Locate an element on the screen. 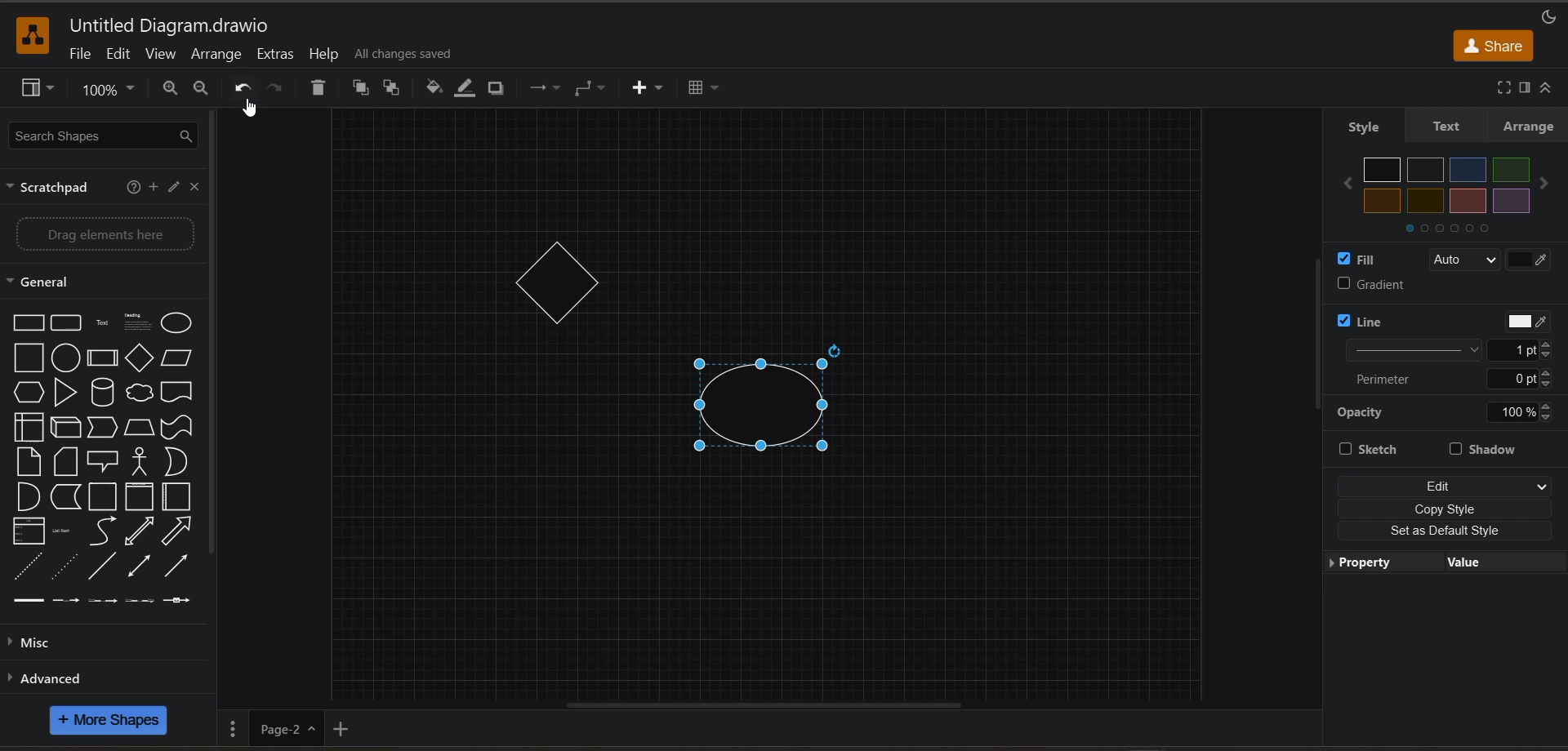 The width and height of the screenshot is (1568, 751). misc is located at coordinates (38, 647).